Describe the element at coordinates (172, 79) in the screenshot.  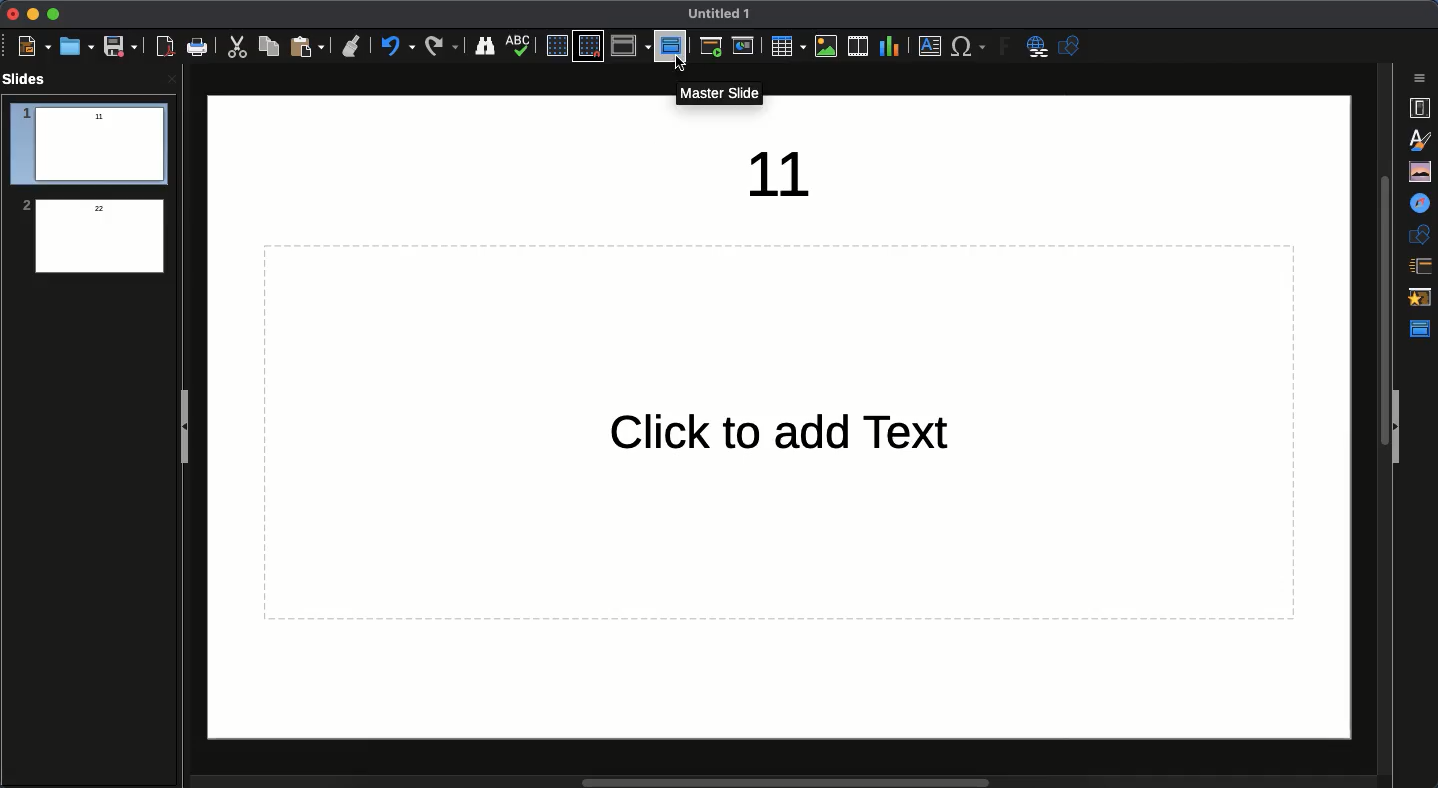
I see `close` at that location.